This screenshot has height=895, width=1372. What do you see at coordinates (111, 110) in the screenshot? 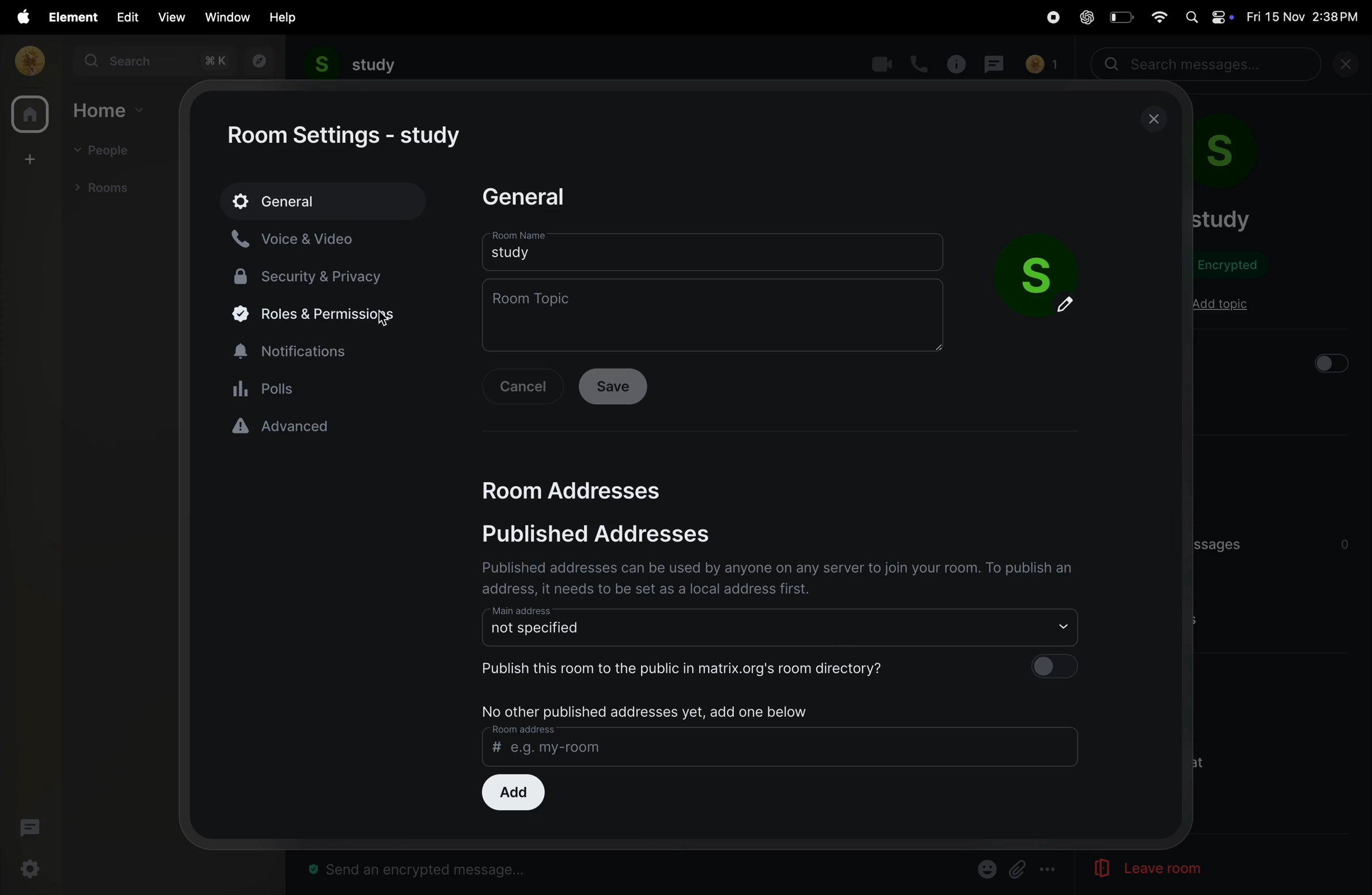
I see `home` at bounding box center [111, 110].